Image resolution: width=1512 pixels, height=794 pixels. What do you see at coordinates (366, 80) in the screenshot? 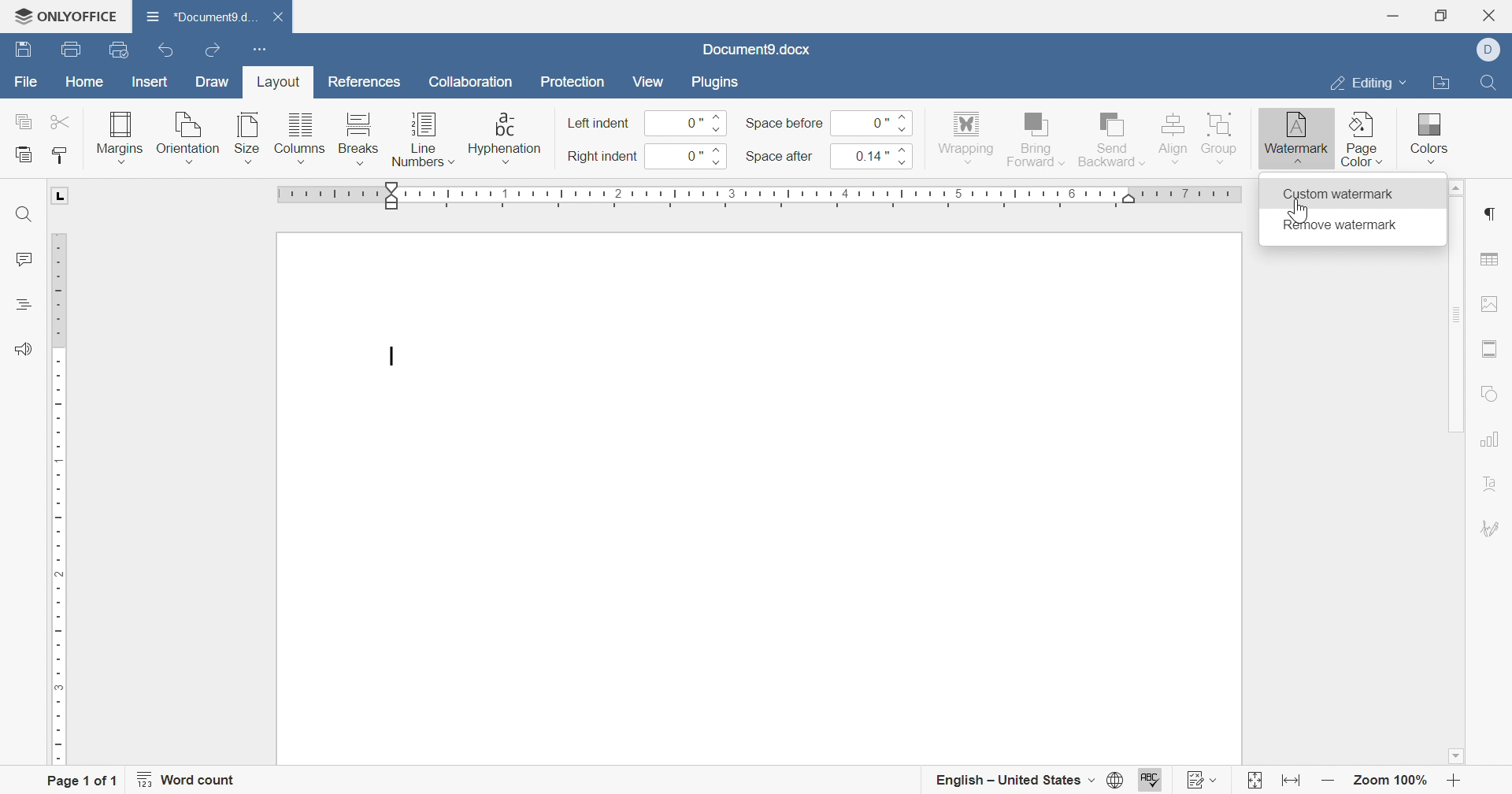
I see `references` at bounding box center [366, 80].